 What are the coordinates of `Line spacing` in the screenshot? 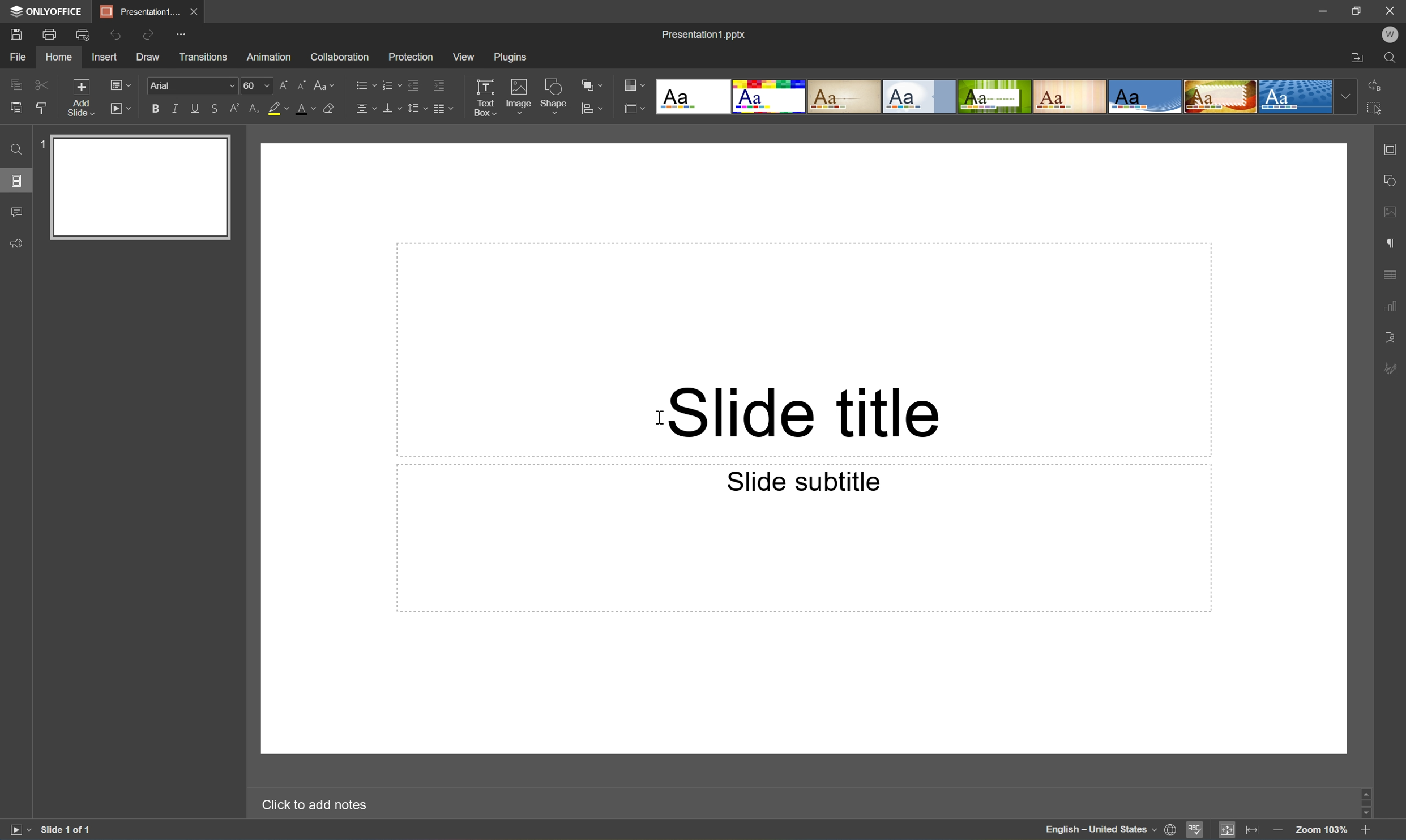 It's located at (417, 108).